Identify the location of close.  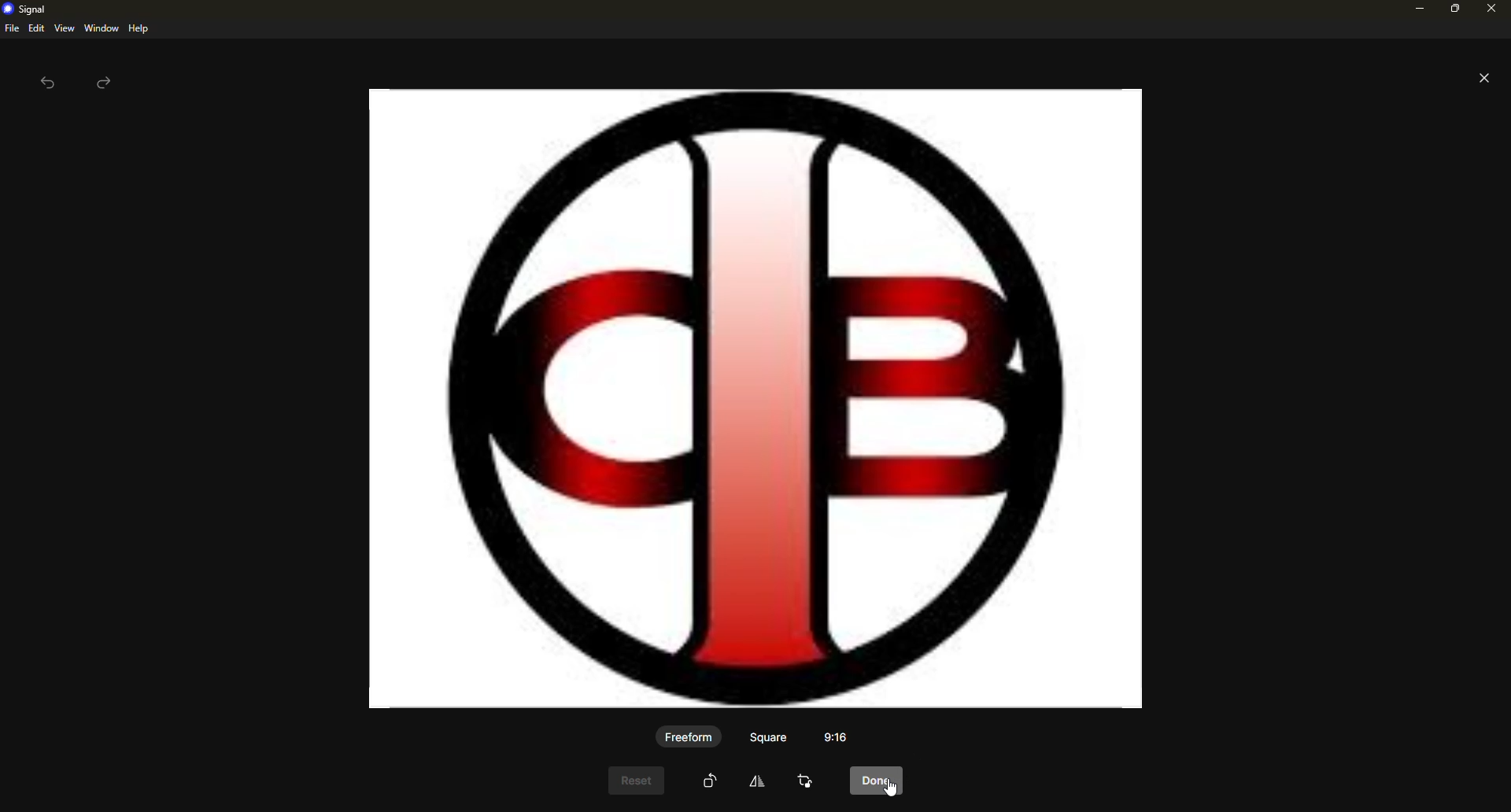
(1491, 9).